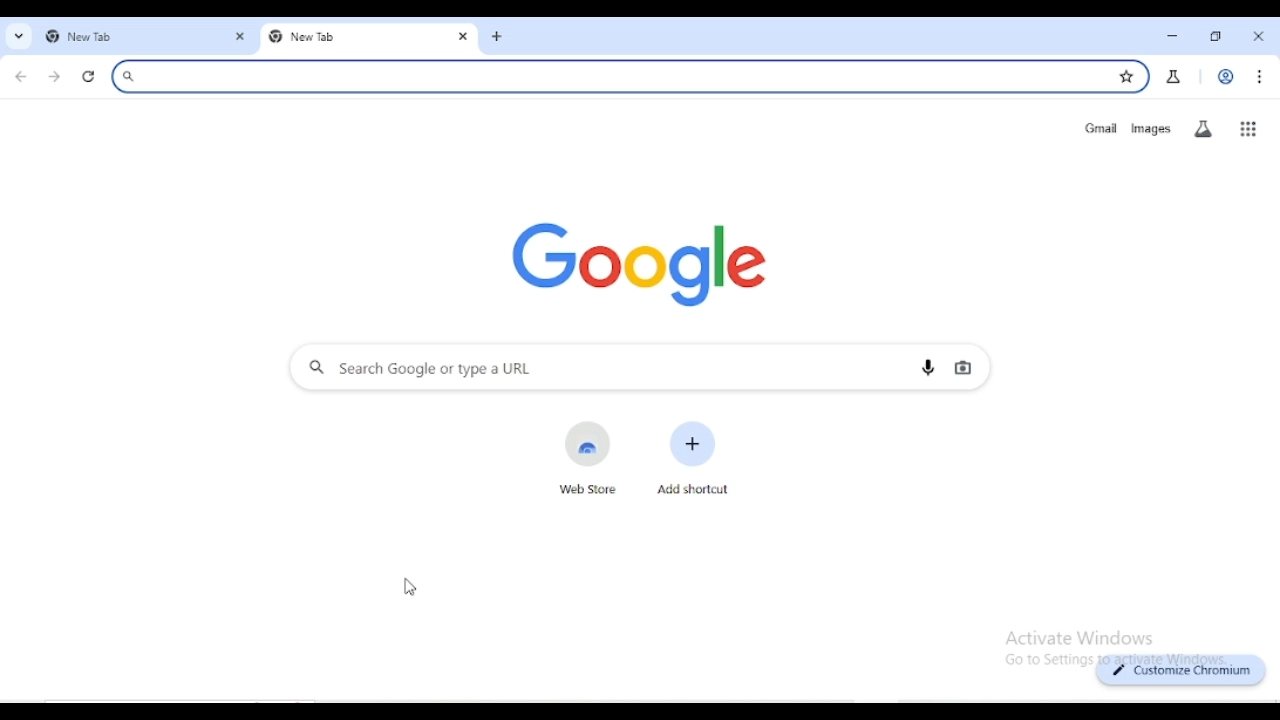 This screenshot has width=1280, height=720. Describe the element at coordinates (54, 78) in the screenshot. I see `click to go forward` at that location.